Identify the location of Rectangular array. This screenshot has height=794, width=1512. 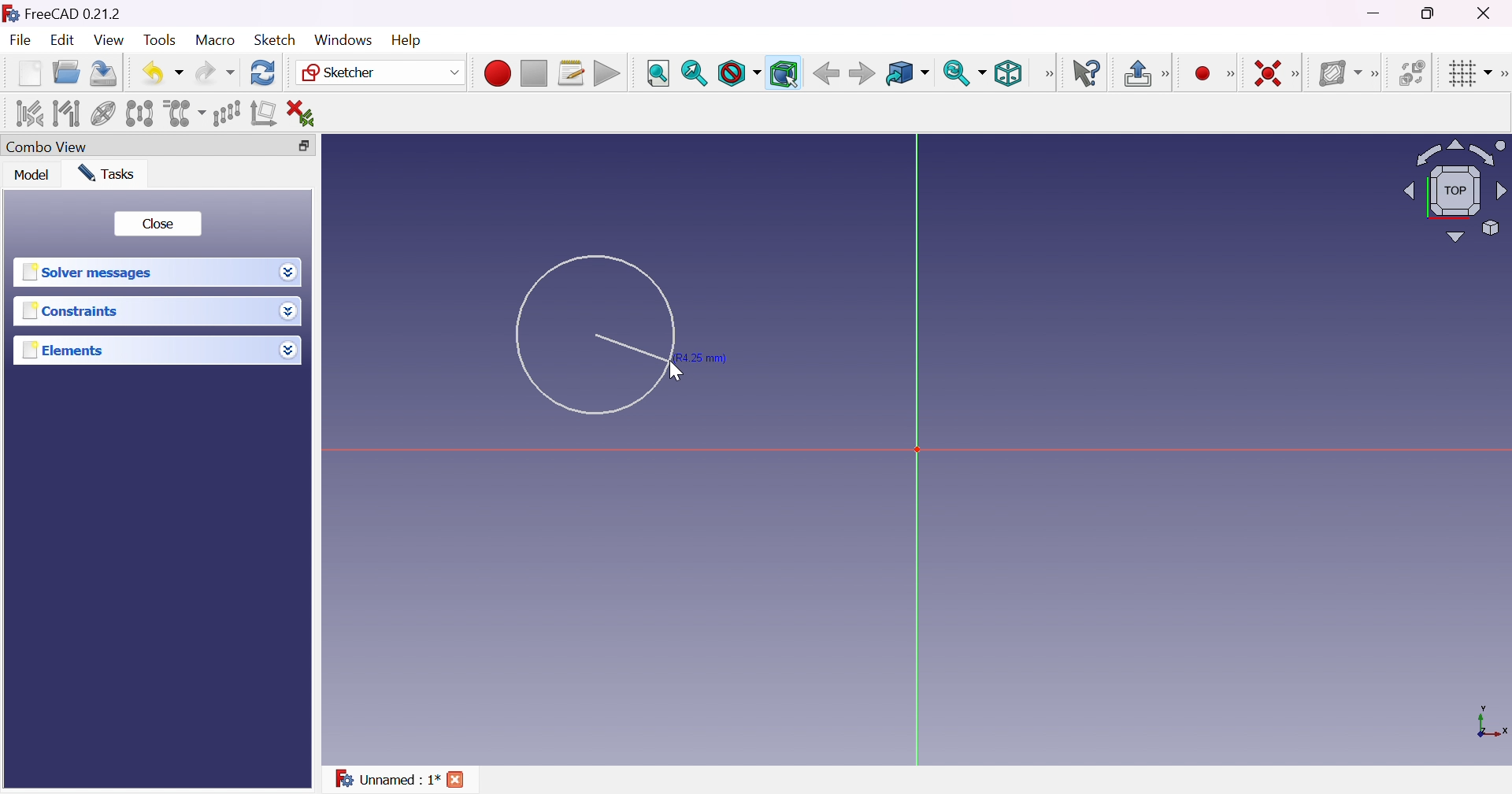
(225, 113).